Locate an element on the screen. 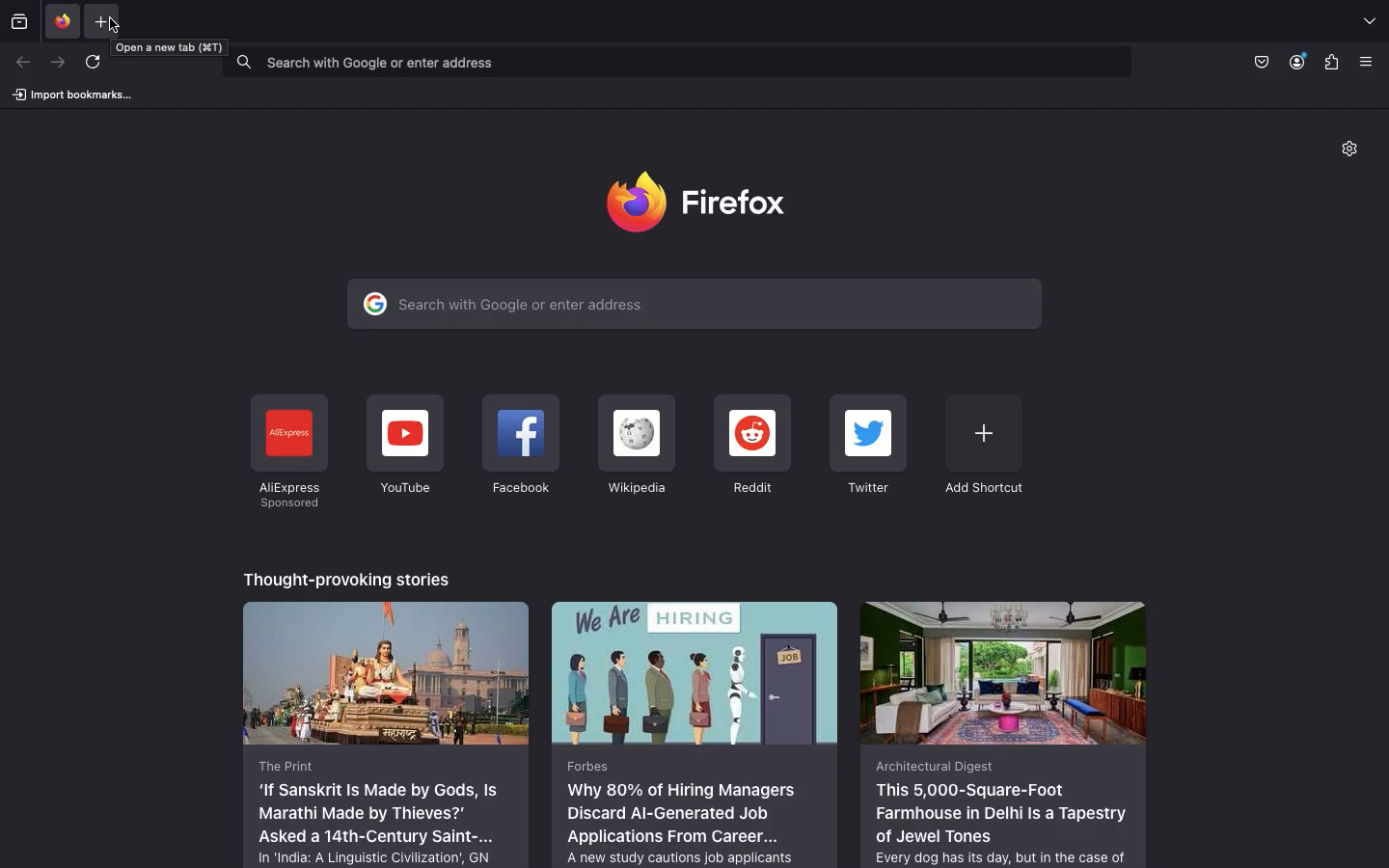 The image size is (1389, 868). Refresh is located at coordinates (98, 66).